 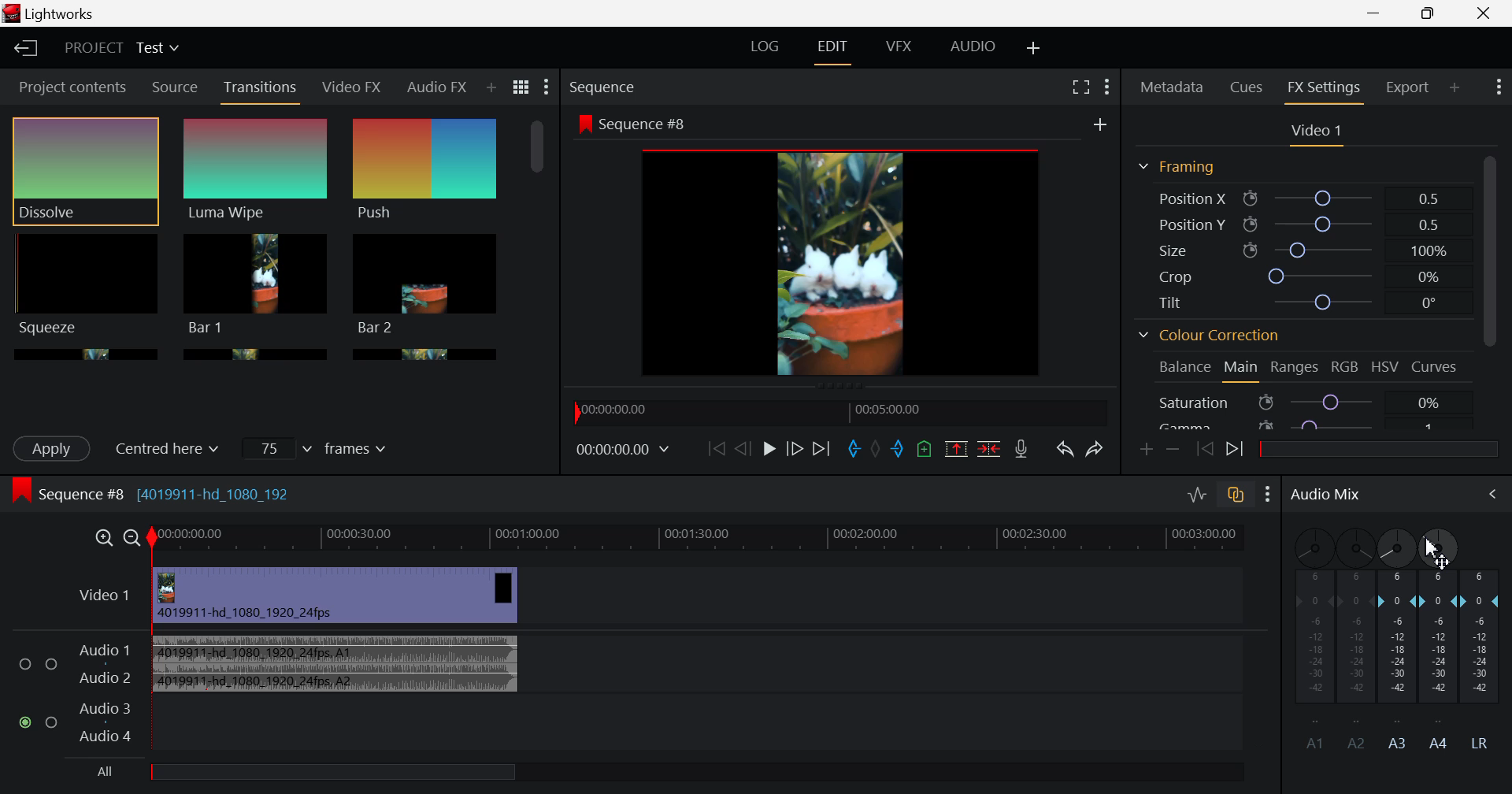 What do you see at coordinates (1493, 291) in the screenshot?
I see `Scroll Bar` at bounding box center [1493, 291].